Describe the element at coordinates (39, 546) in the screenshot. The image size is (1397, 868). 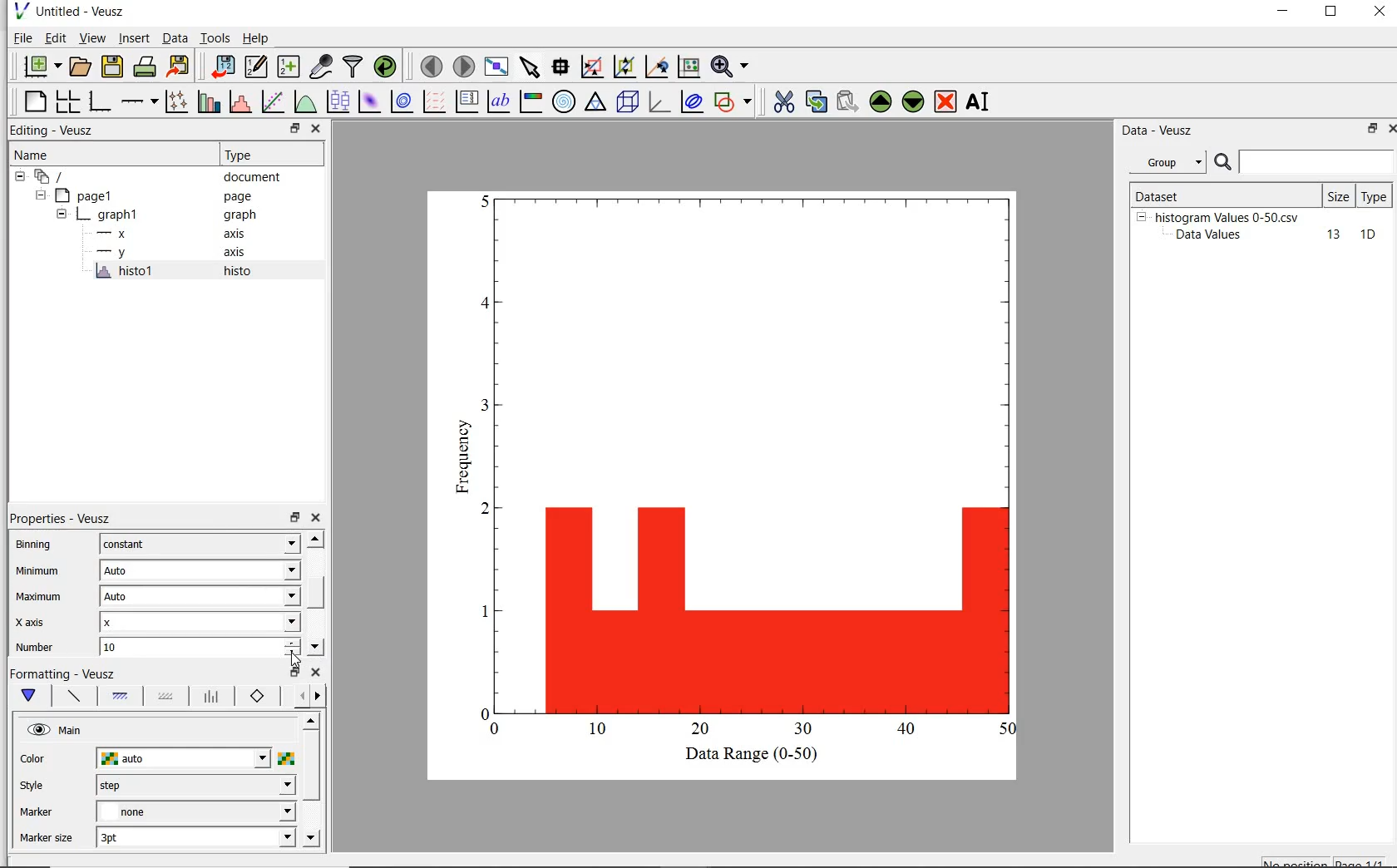
I see `Binning` at that location.